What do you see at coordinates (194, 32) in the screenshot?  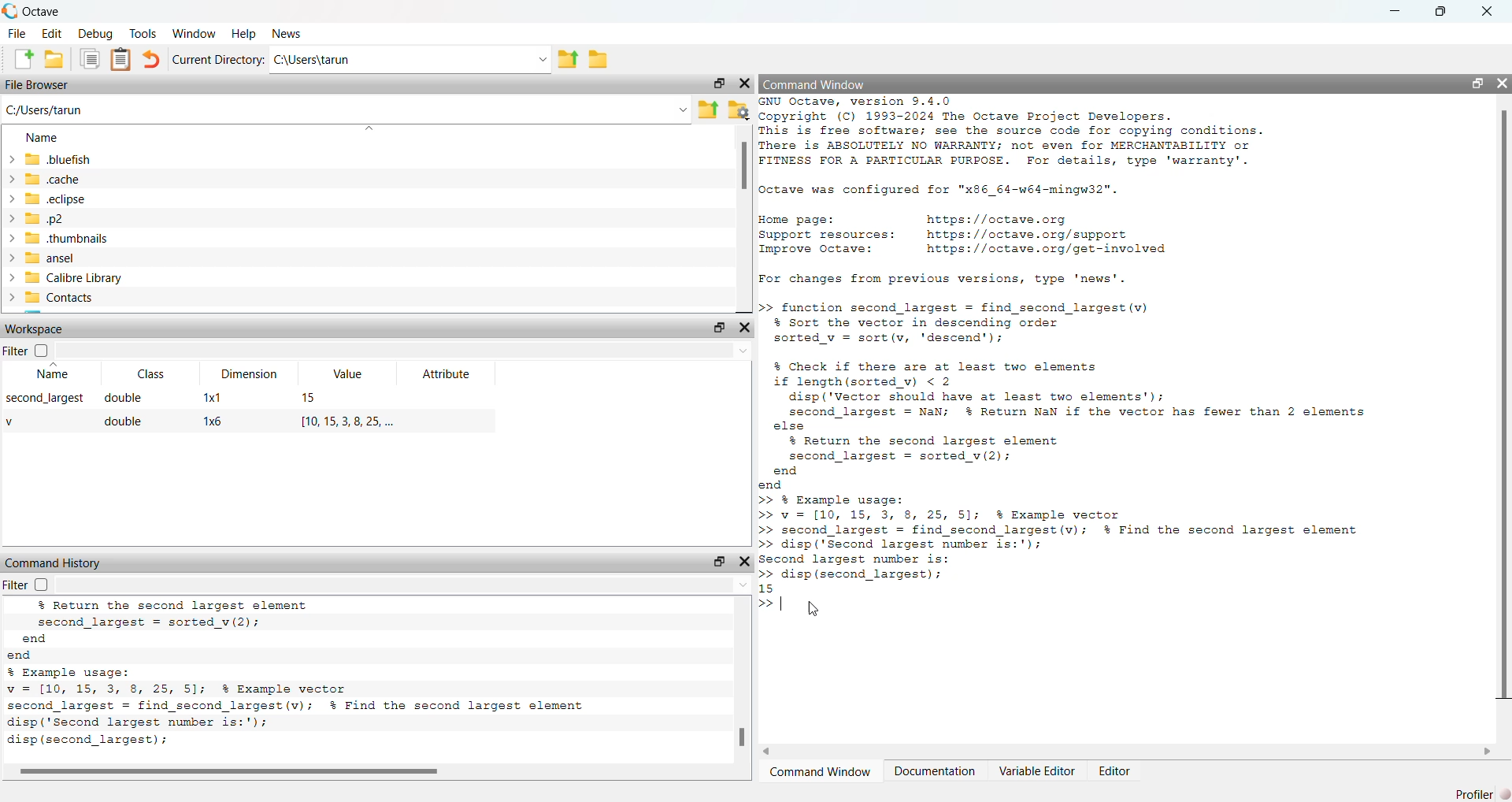 I see `window` at bounding box center [194, 32].